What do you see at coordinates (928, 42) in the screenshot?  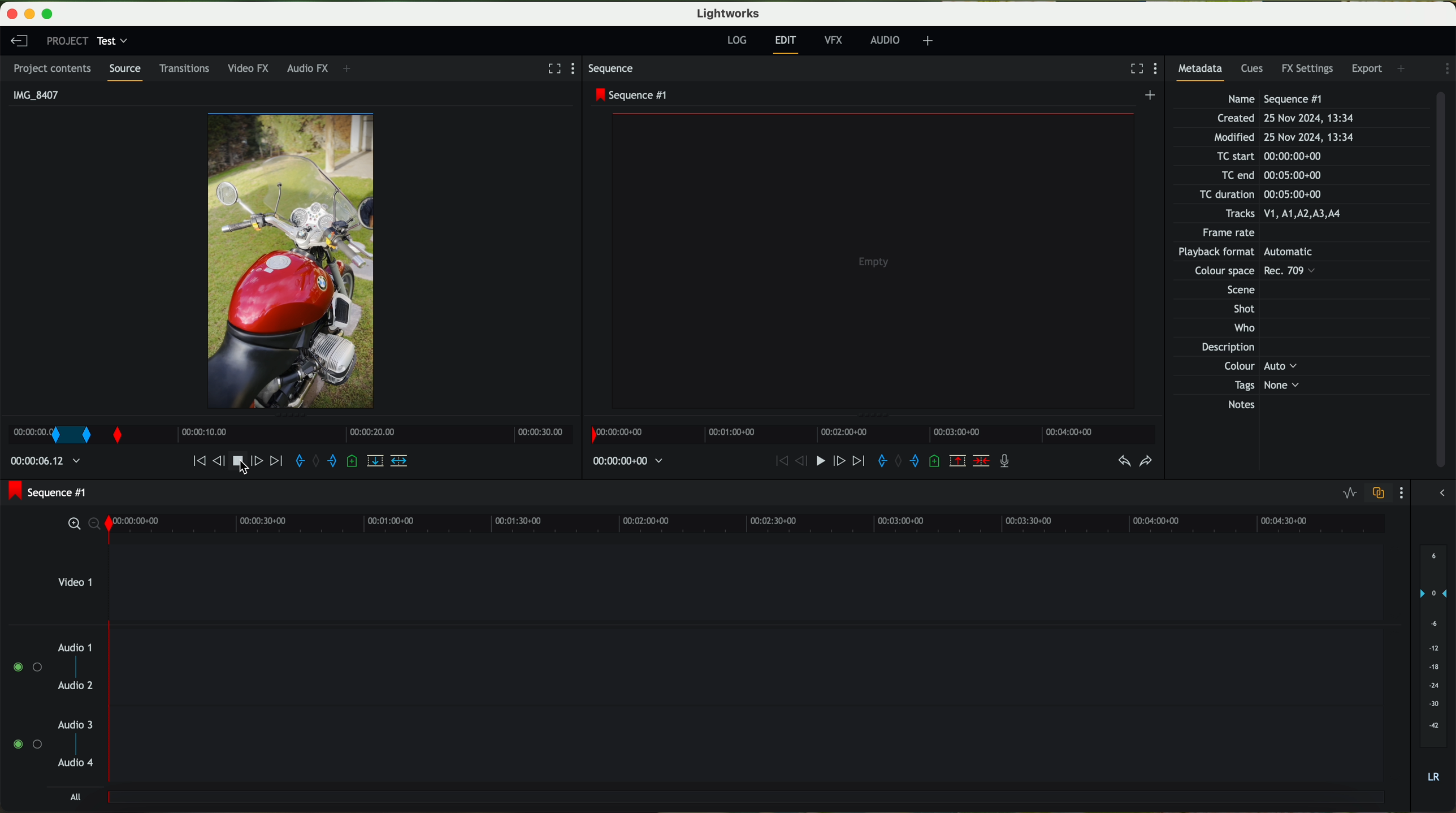 I see `+` at bounding box center [928, 42].